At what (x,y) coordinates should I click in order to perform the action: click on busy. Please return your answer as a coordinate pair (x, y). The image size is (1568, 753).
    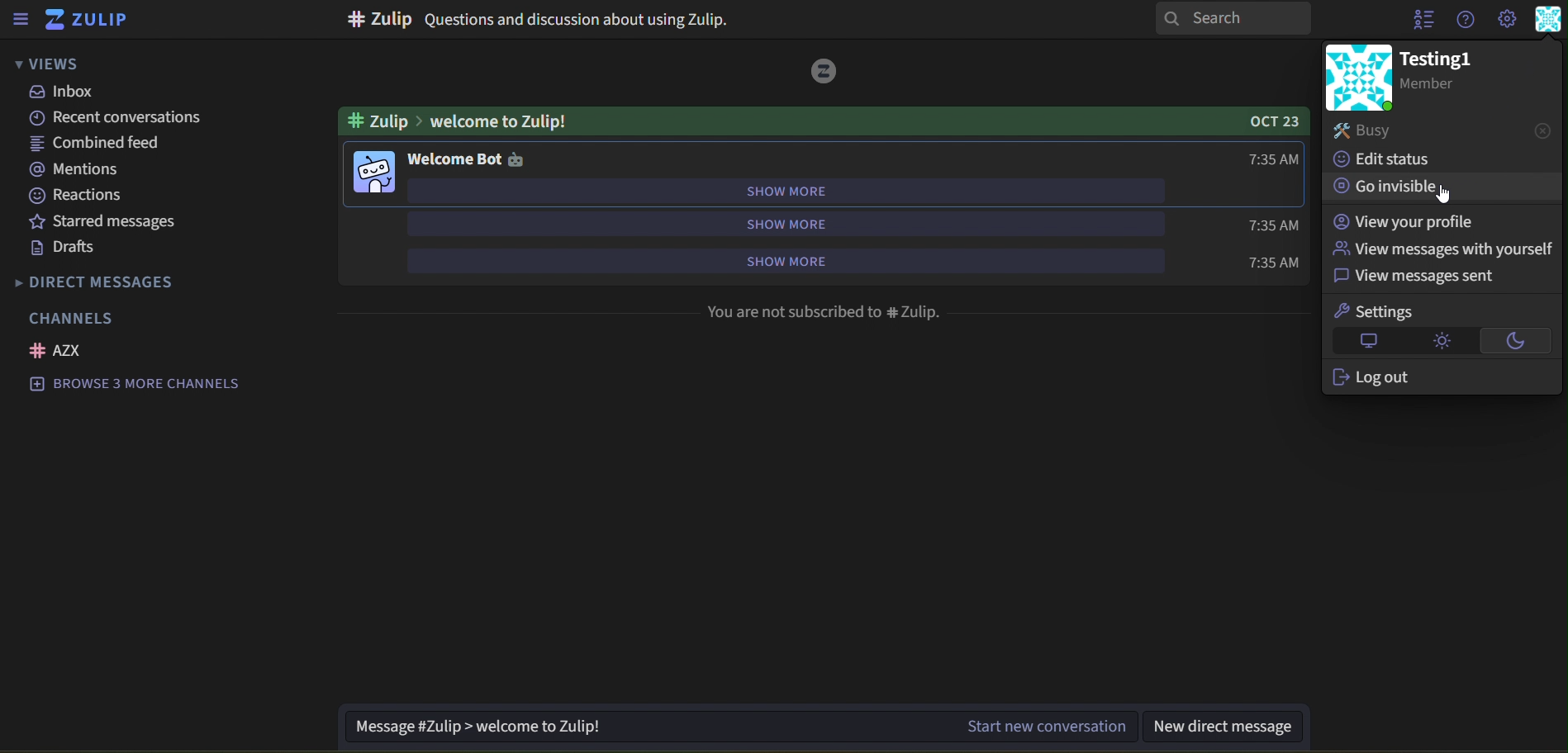
    Looking at the image, I should click on (1442, 130).